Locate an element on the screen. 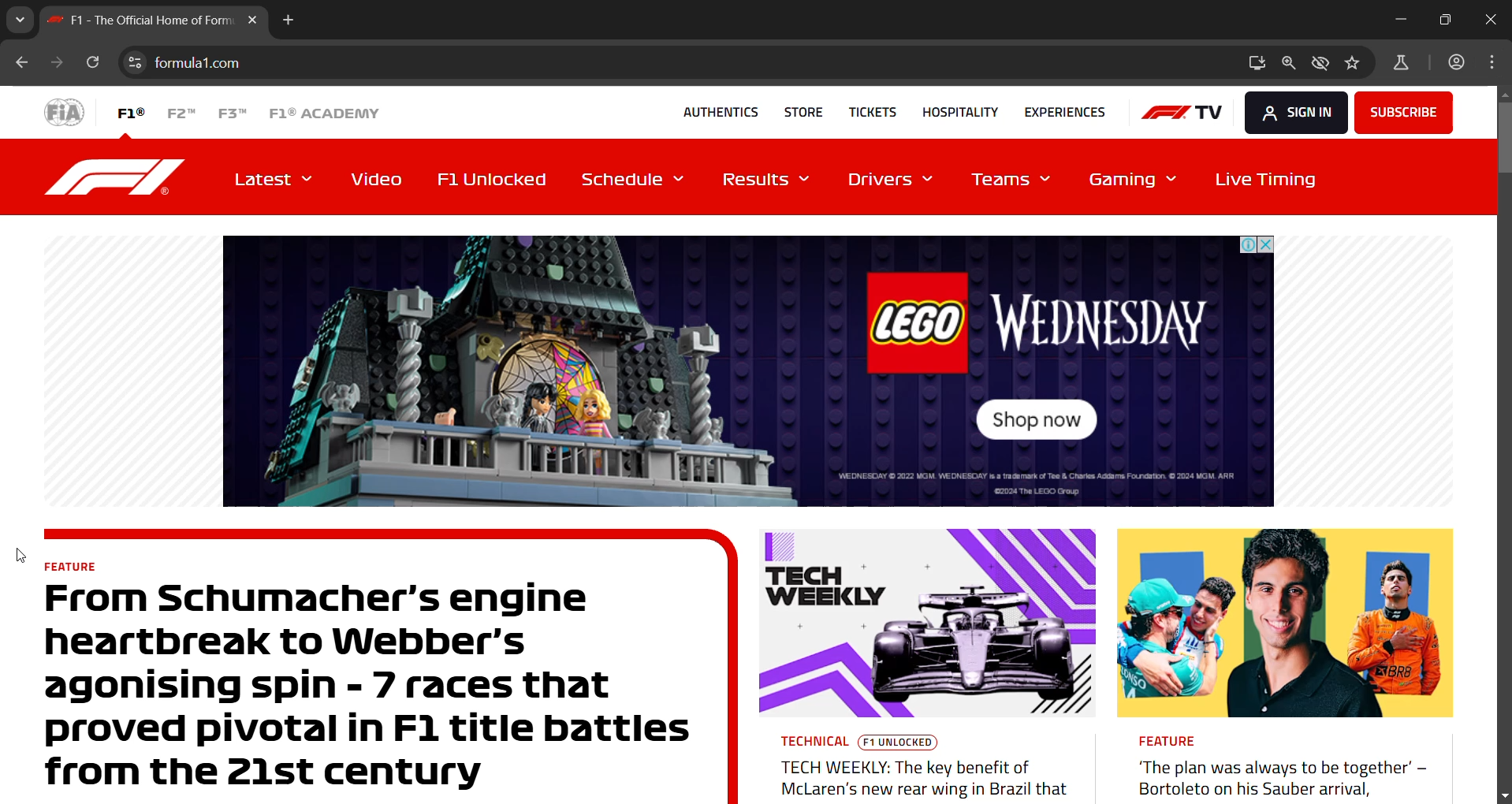 Image resolution: width=1512 pixels, height=804 pixels. F1® is located at coordinates (129, 112).